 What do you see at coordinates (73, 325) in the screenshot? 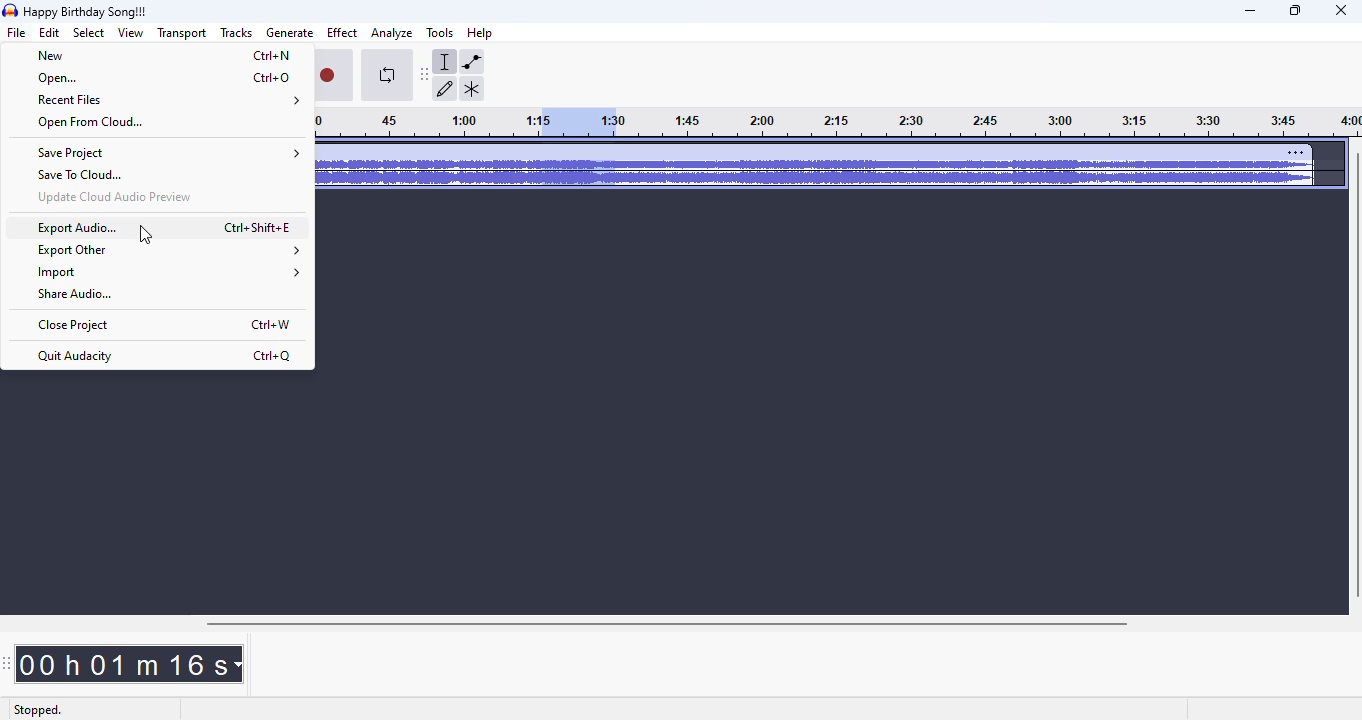
I see `close project` at bounding box center [73, 325].